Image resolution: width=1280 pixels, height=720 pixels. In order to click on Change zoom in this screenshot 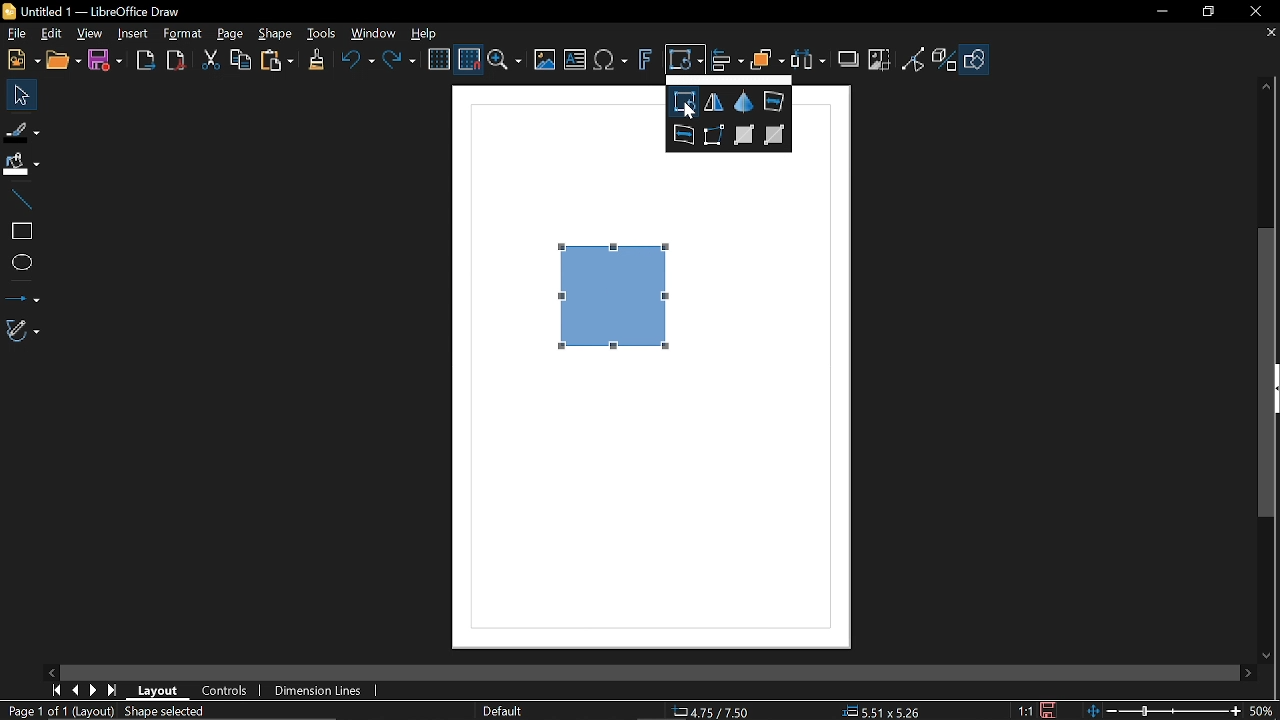, I will do `click(1162, 711)`.